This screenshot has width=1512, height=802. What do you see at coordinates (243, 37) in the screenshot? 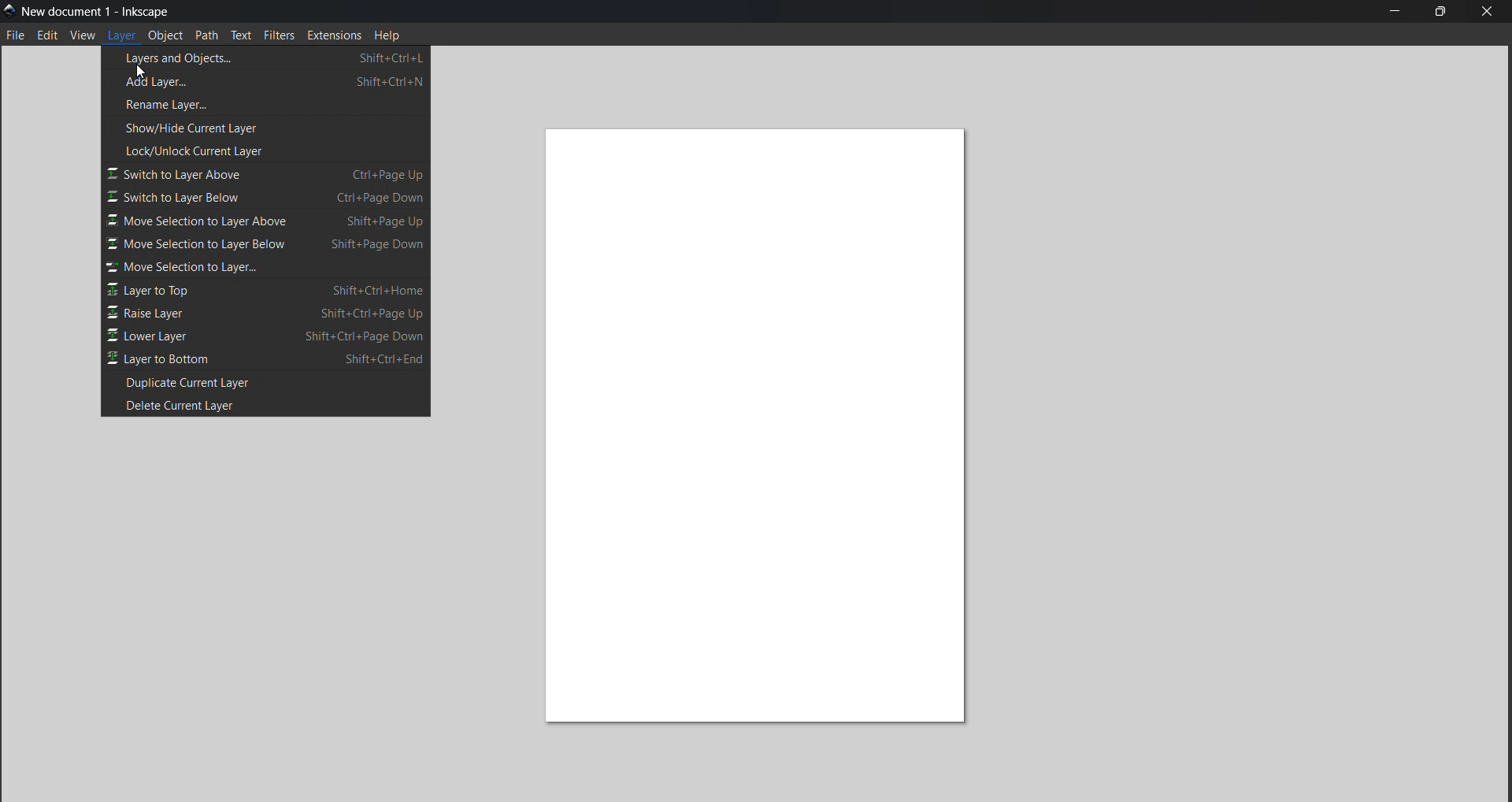
I see `text` at bounding box center [243, 37].